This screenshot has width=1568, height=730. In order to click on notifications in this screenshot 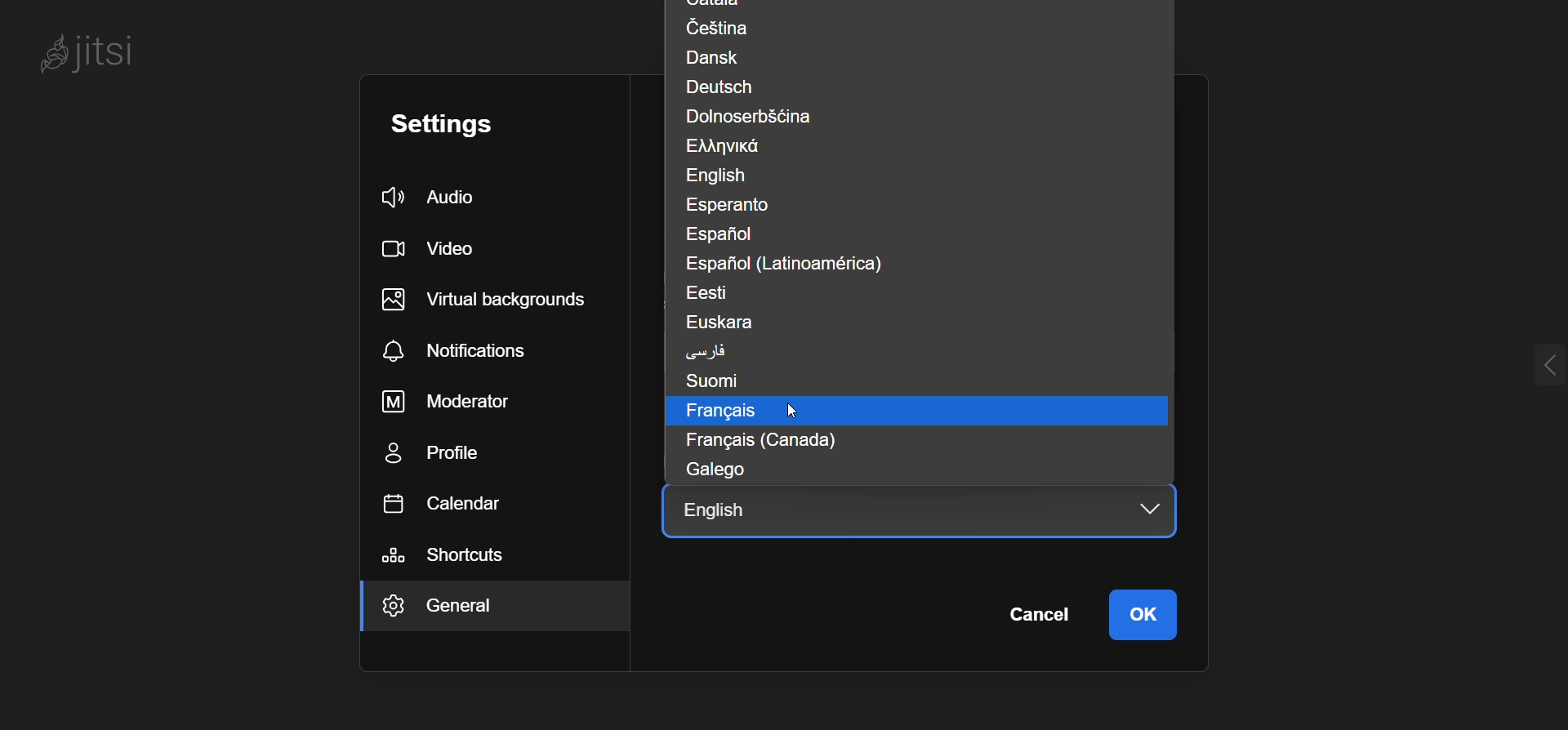, I will do `click(465, 351)`.